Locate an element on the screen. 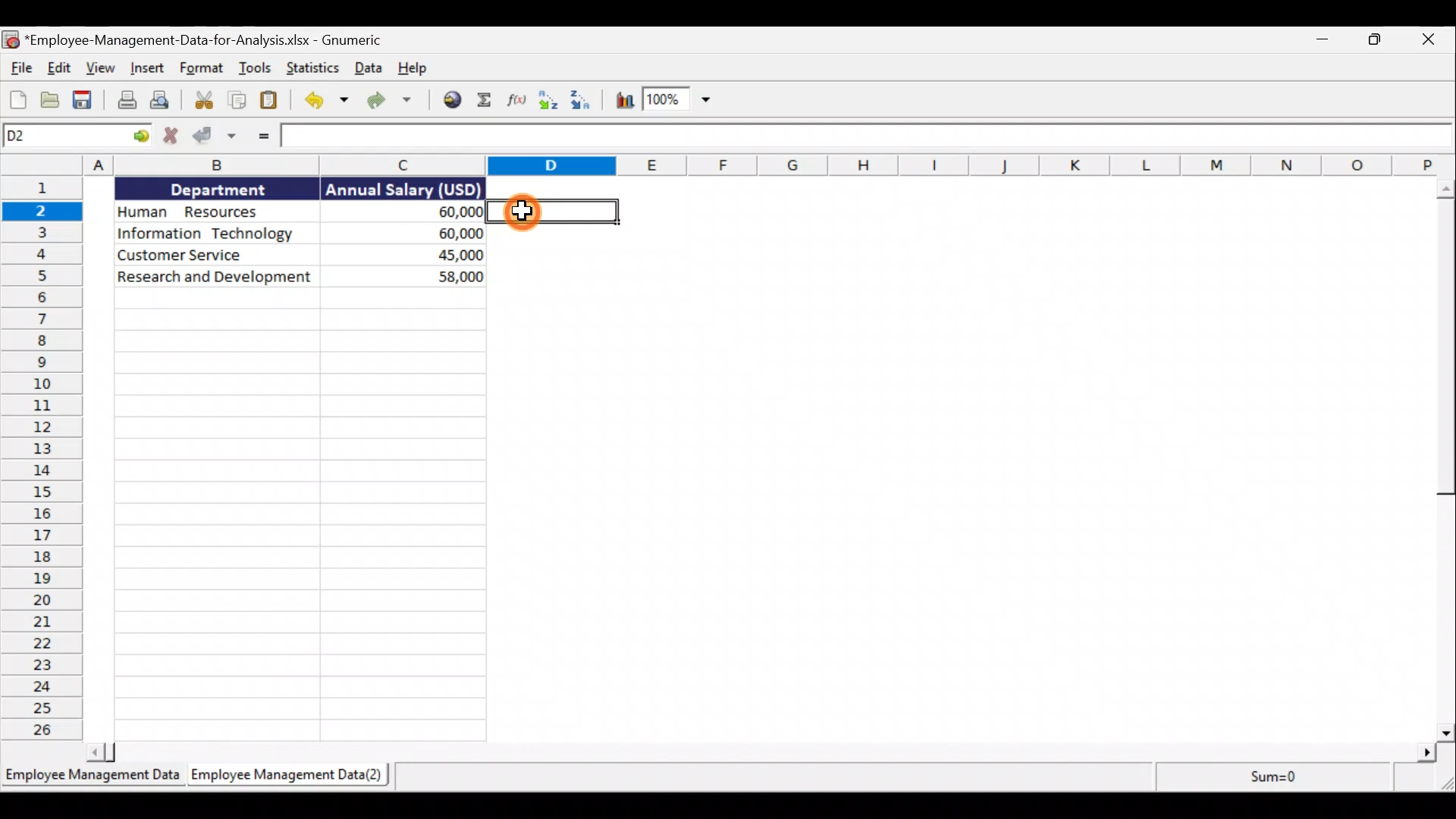 This screenshot has height=819, width=1456. Accept change is located at coordinates (220, 136).